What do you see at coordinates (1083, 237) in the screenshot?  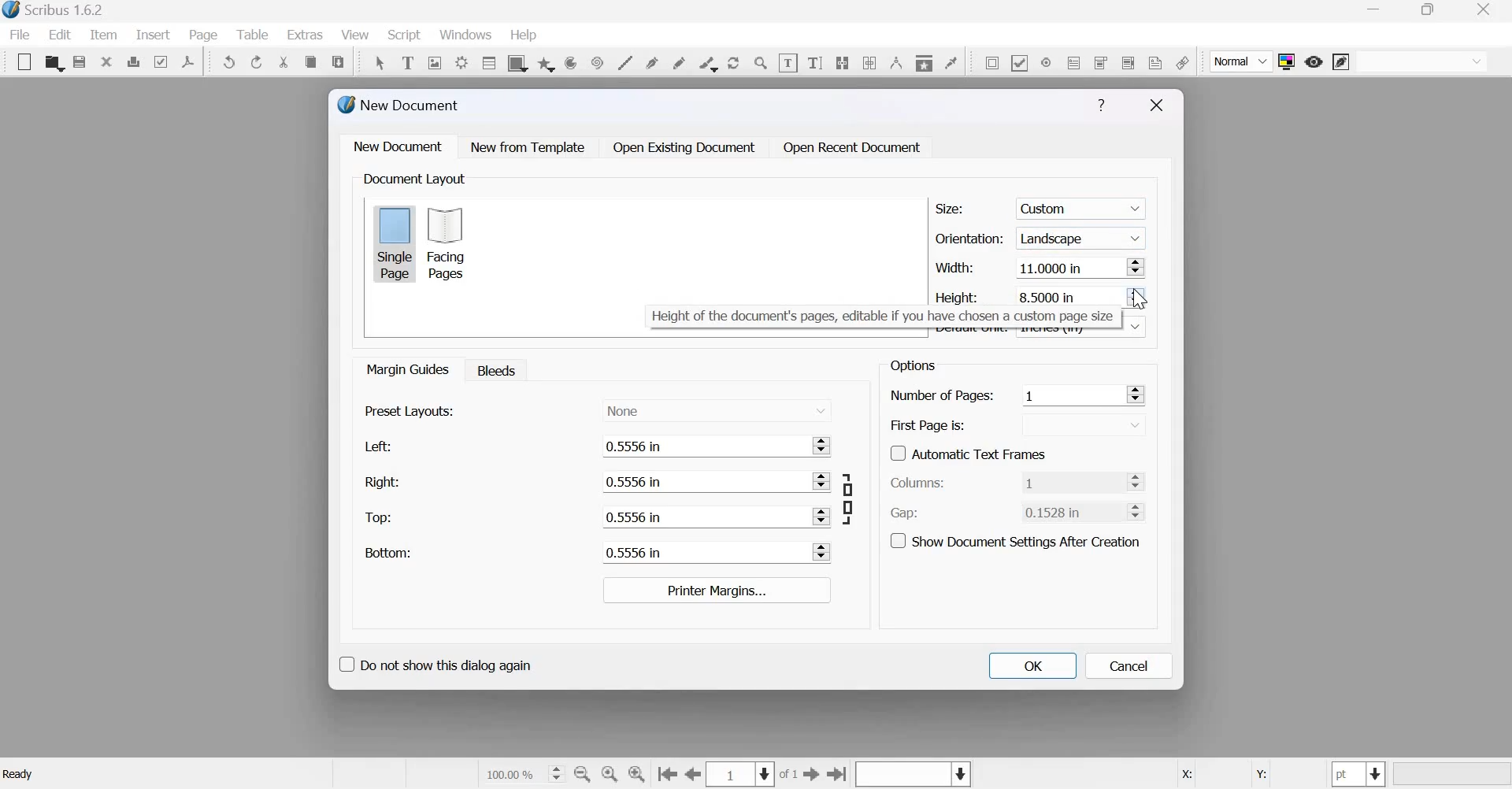 I see `Landscape` at bounding box center [1083, 237].